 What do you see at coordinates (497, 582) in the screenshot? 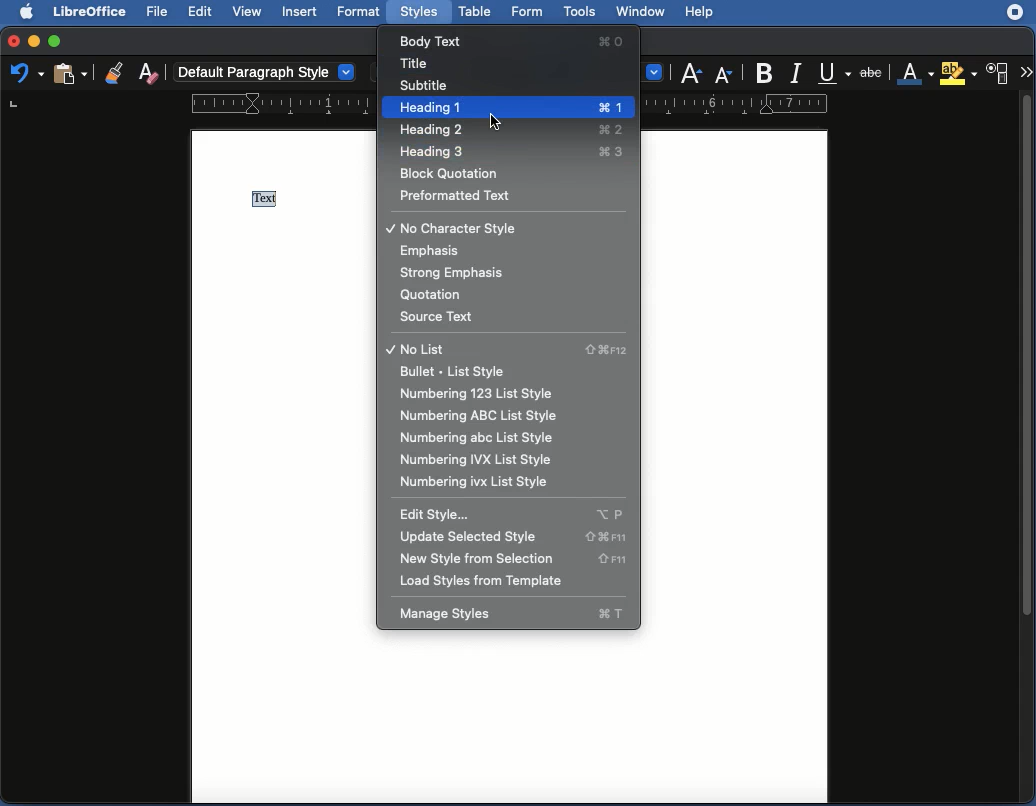
I see `Load styles from template` at bounding box center [497, 582].